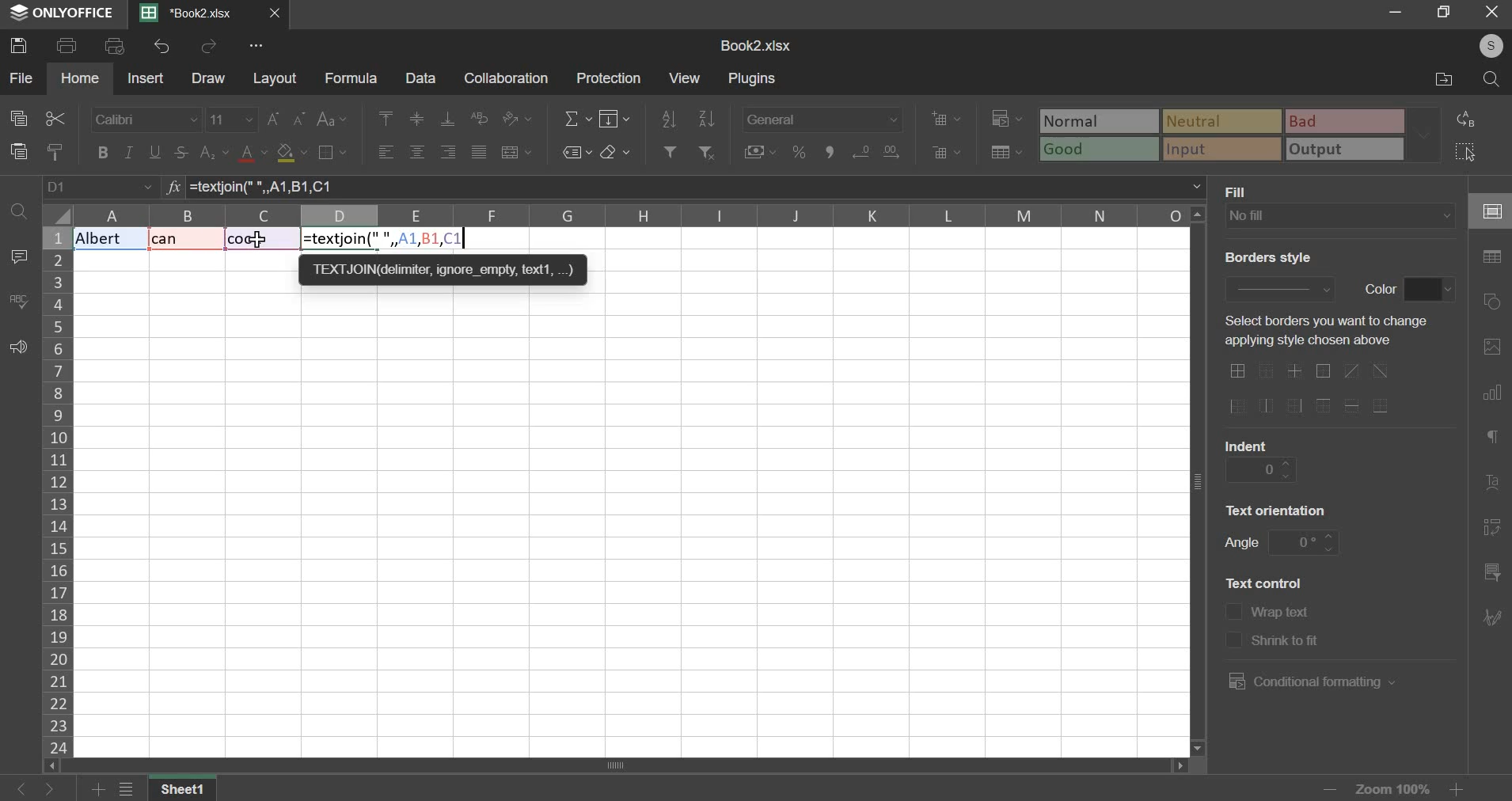  Describe the element at coordinates (128, 152) in the screenshot. I see `italic` at that location.